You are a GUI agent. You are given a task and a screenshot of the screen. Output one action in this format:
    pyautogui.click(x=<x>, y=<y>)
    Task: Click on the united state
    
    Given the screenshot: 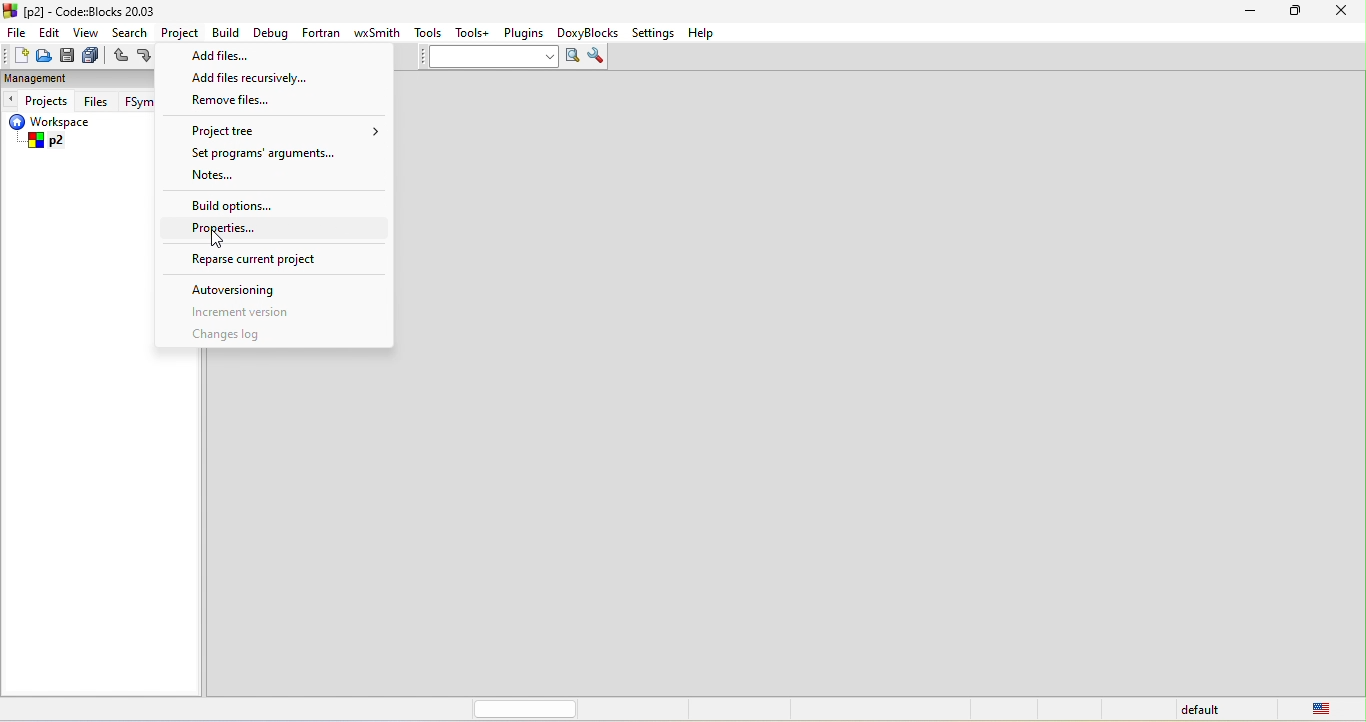 What is the action you would take?
    pyautogui.click(x=1329, y=710)
    